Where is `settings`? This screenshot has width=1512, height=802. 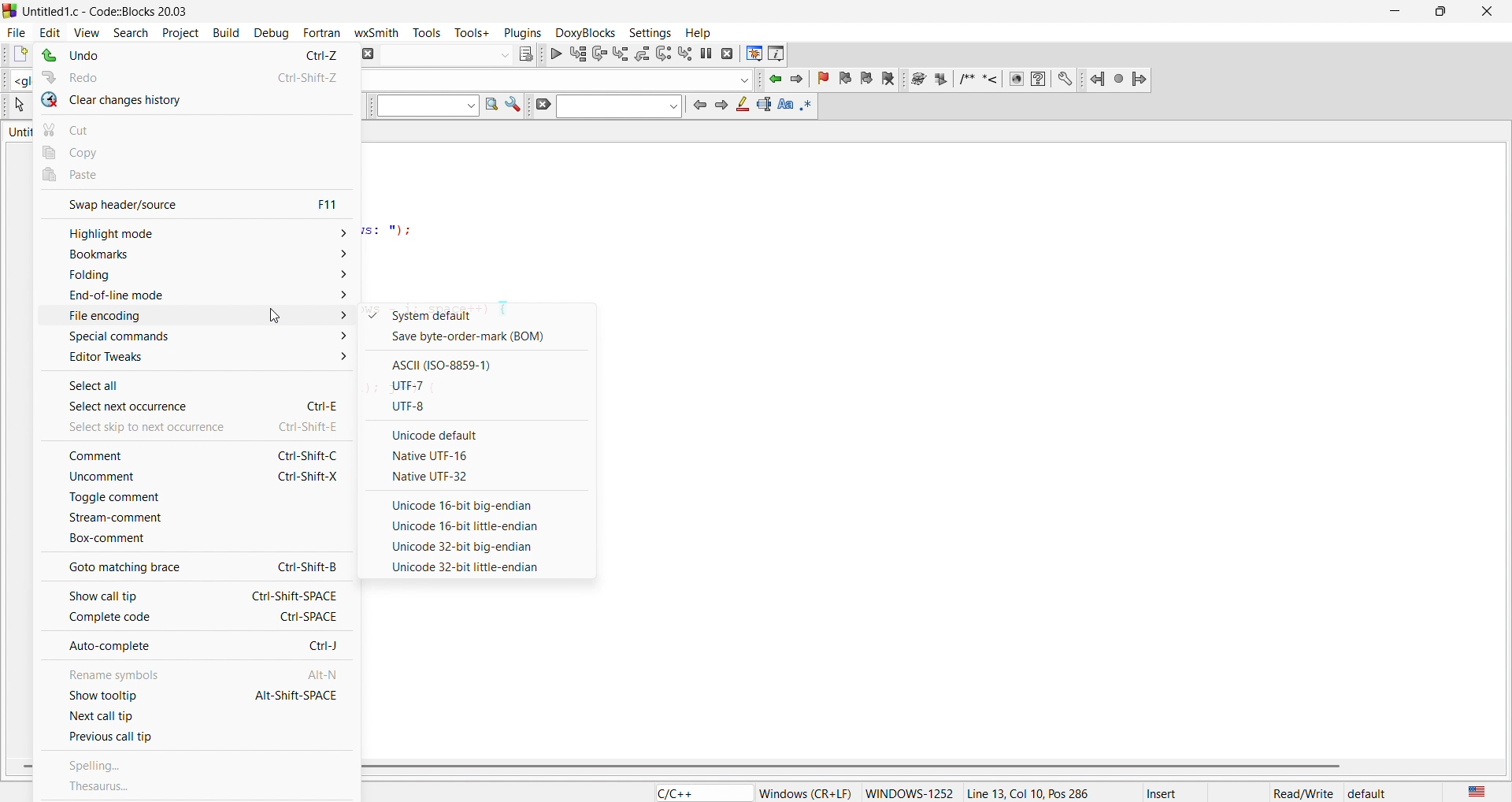
settings is located at coordinates (1065, 80).